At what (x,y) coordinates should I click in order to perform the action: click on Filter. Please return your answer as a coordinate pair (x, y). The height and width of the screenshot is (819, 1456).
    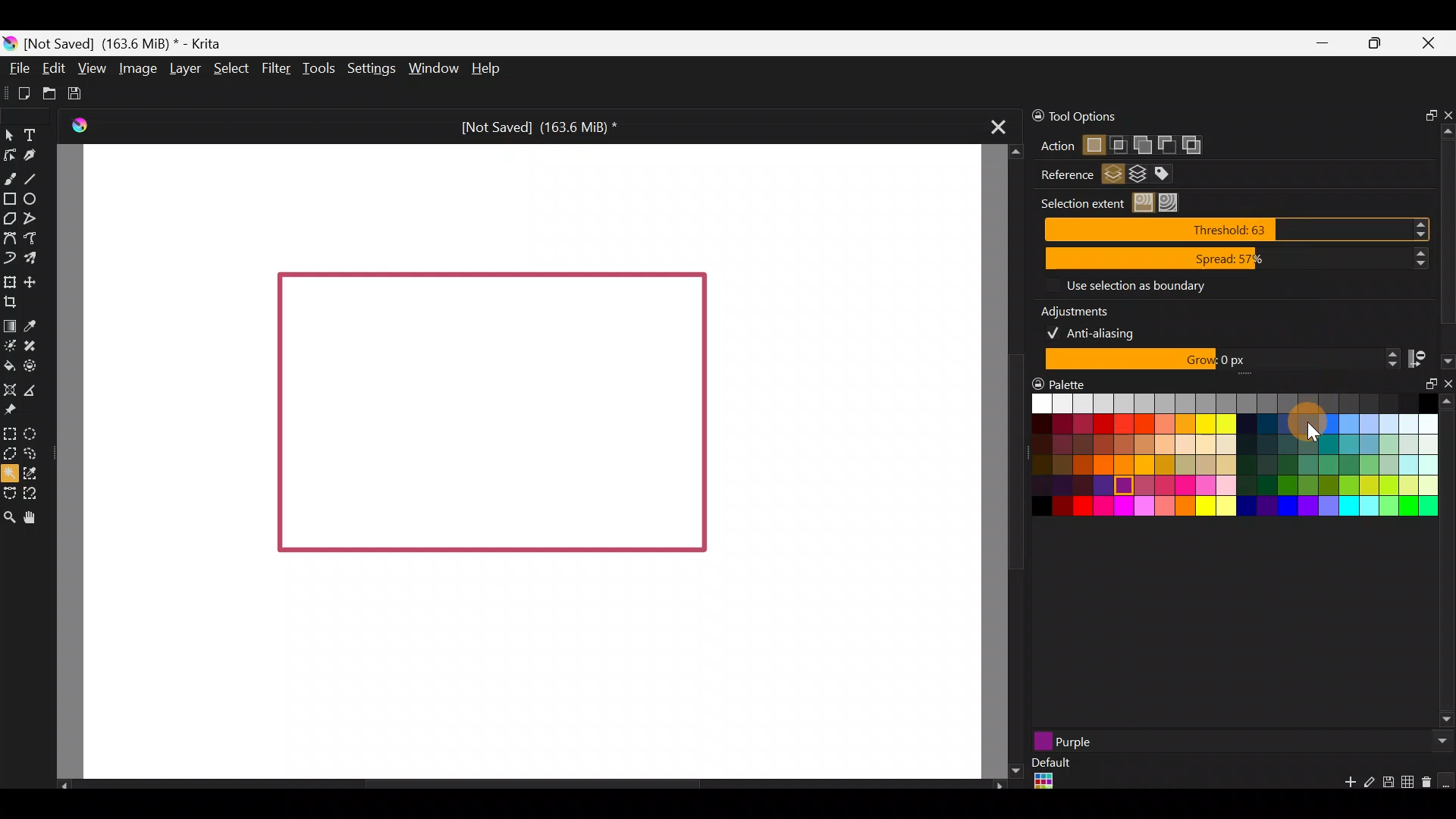
    Looking at the image, I should click on (274, 68).